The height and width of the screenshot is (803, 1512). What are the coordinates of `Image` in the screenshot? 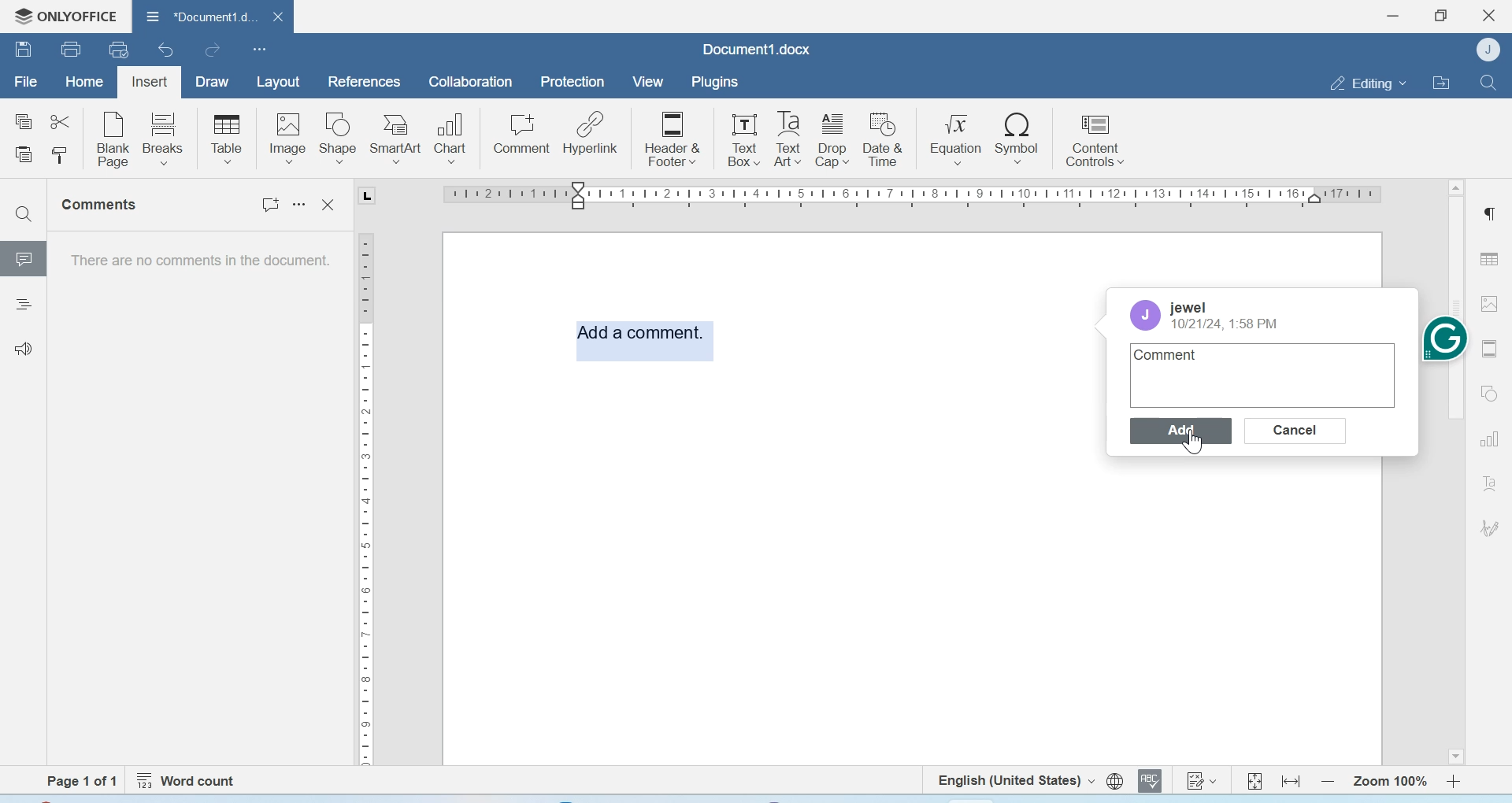 It's located at (287, 138).